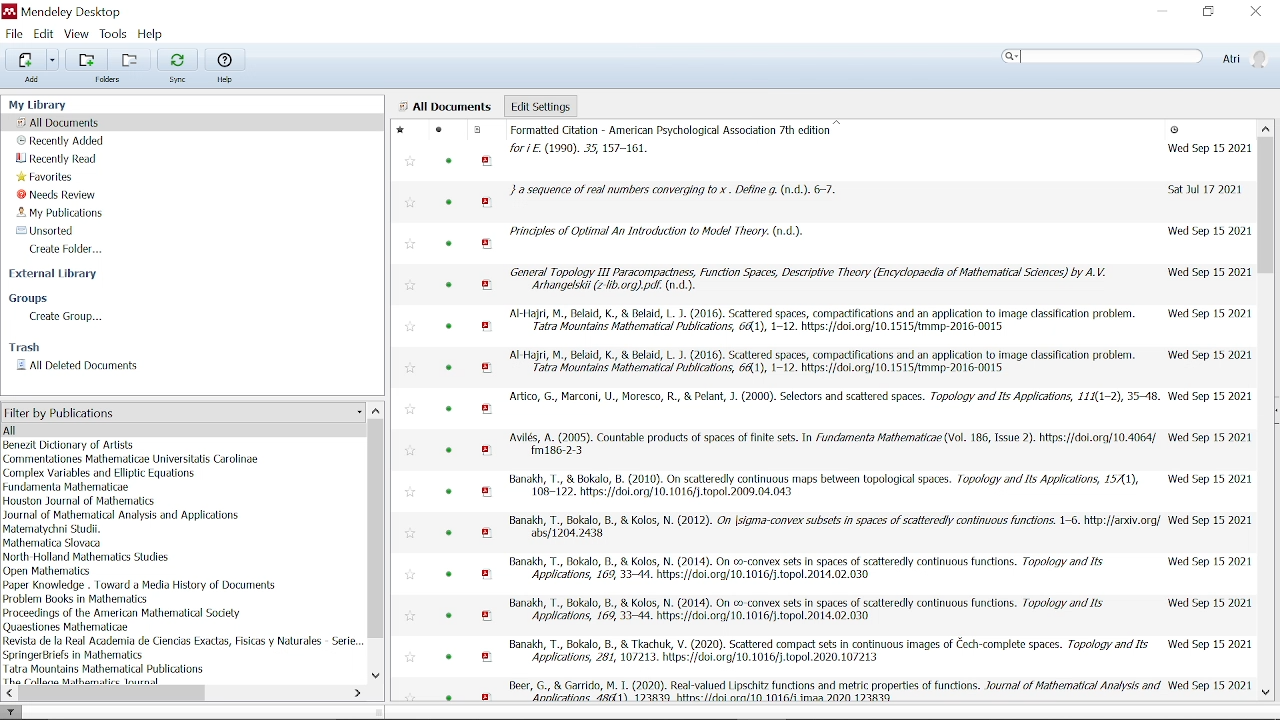 Image resolution: width=1280 pixels, height=720 pixels. Describe the element at coordinates (68, 317) in the screenshot. I see `Create group` at that location.